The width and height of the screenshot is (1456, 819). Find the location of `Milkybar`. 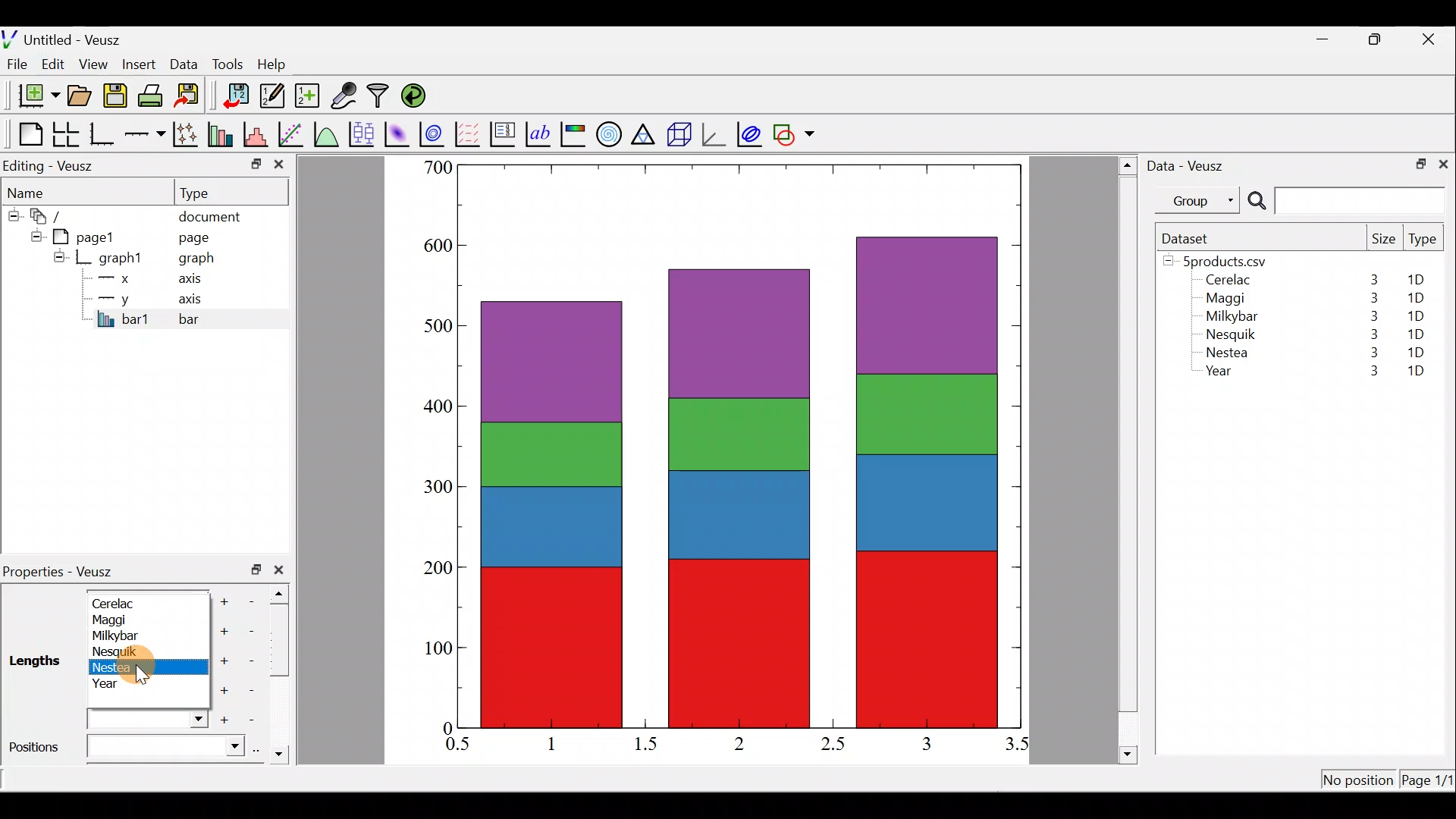

Milkybar is located at coordinates (1228, 318).